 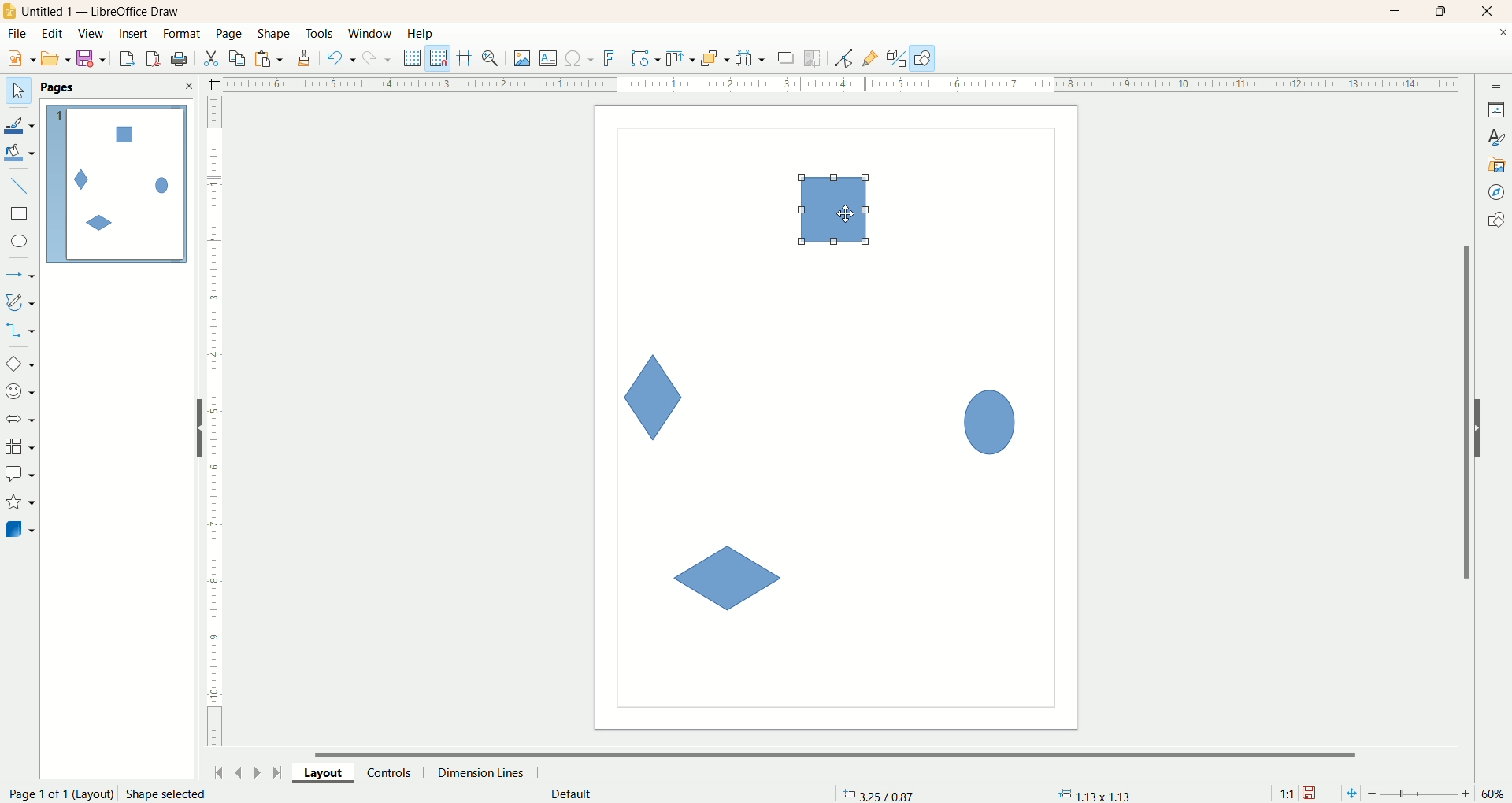 I want to click on coordinates, so click(x=880, y=794).